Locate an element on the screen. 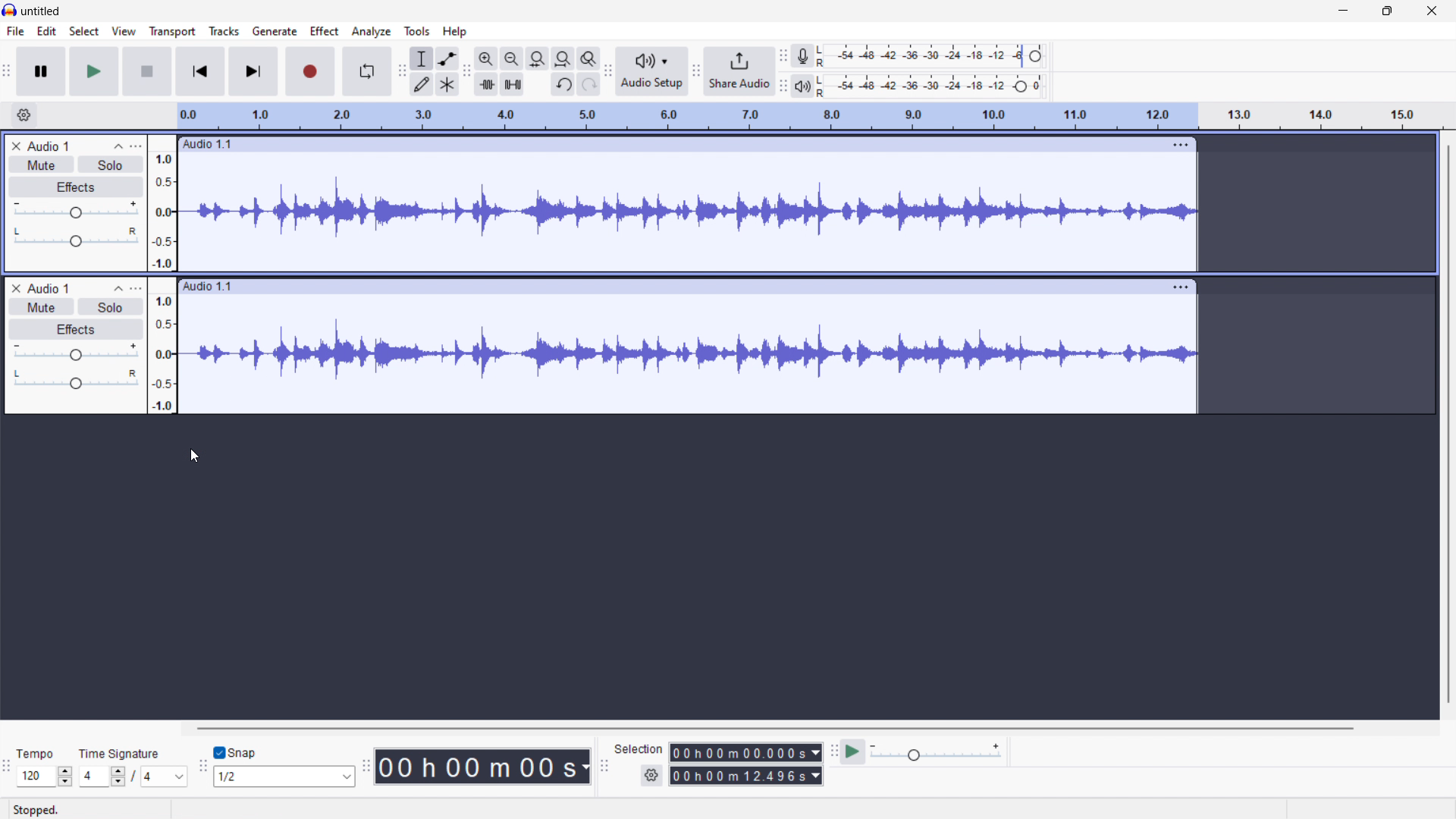 The image size is (1456, 819). transport toolbar is located at coordinates (8, 74).